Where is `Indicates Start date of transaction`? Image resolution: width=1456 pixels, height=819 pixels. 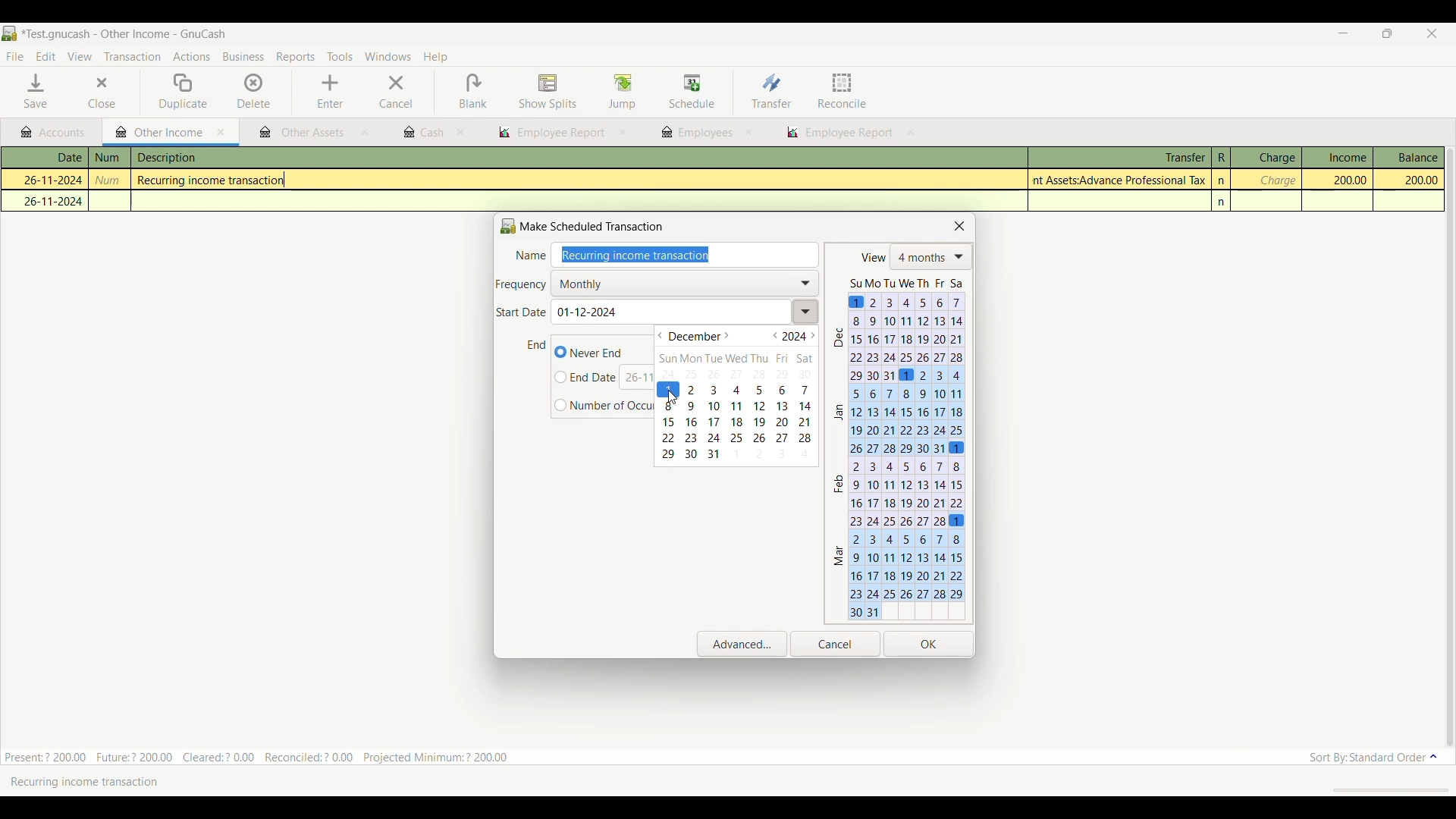
Indicates Start date of transaction is located at coordinates (522, 312).